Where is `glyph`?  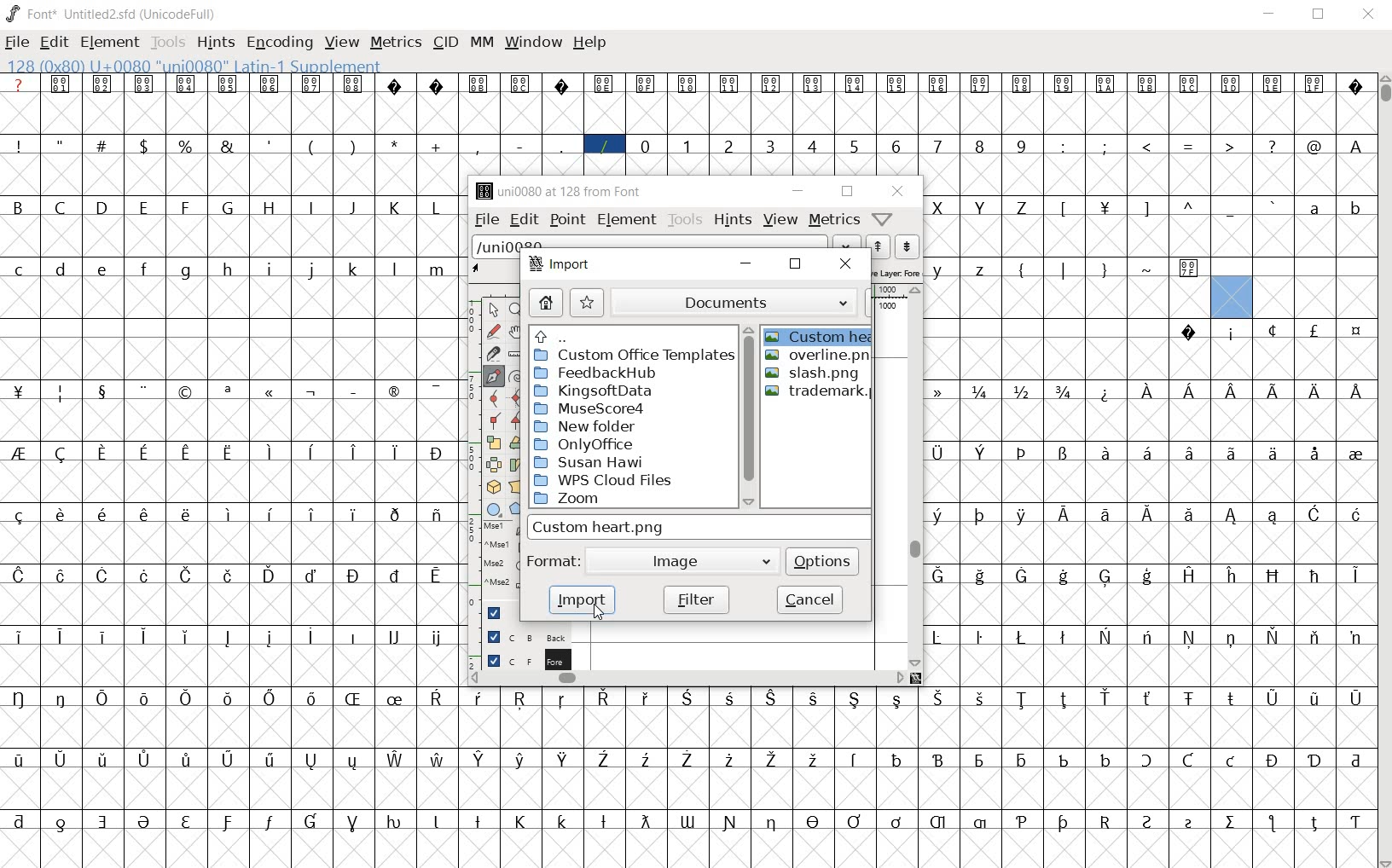 glyph is located at coordinates (1106, 452).